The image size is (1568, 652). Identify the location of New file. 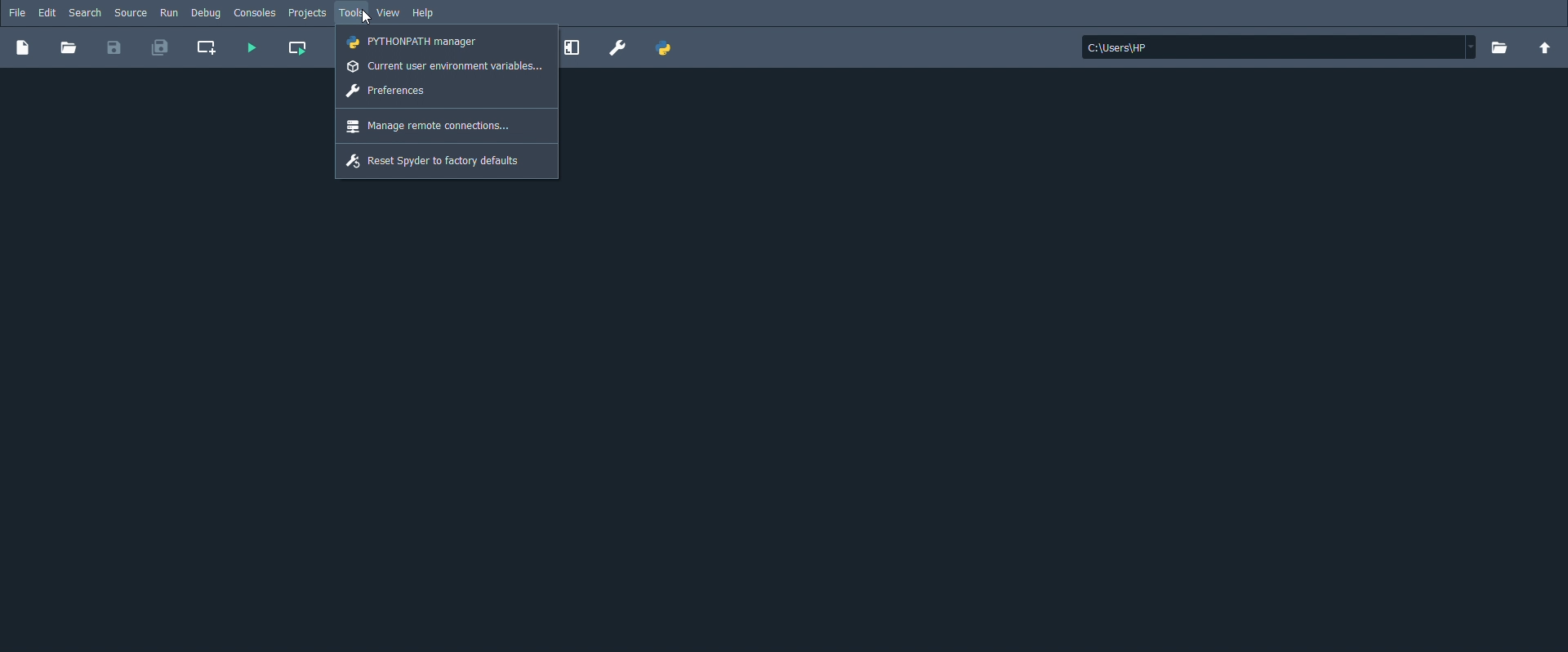
(24, 48).